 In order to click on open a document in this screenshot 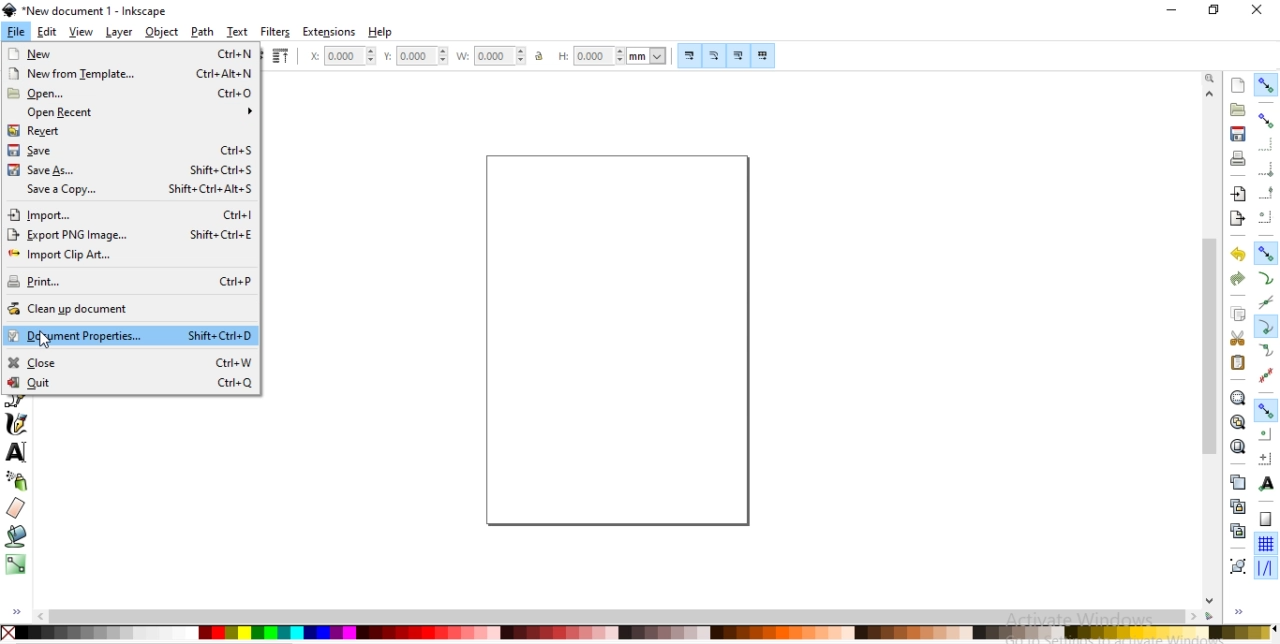, I will do `click(1236, 109)`.